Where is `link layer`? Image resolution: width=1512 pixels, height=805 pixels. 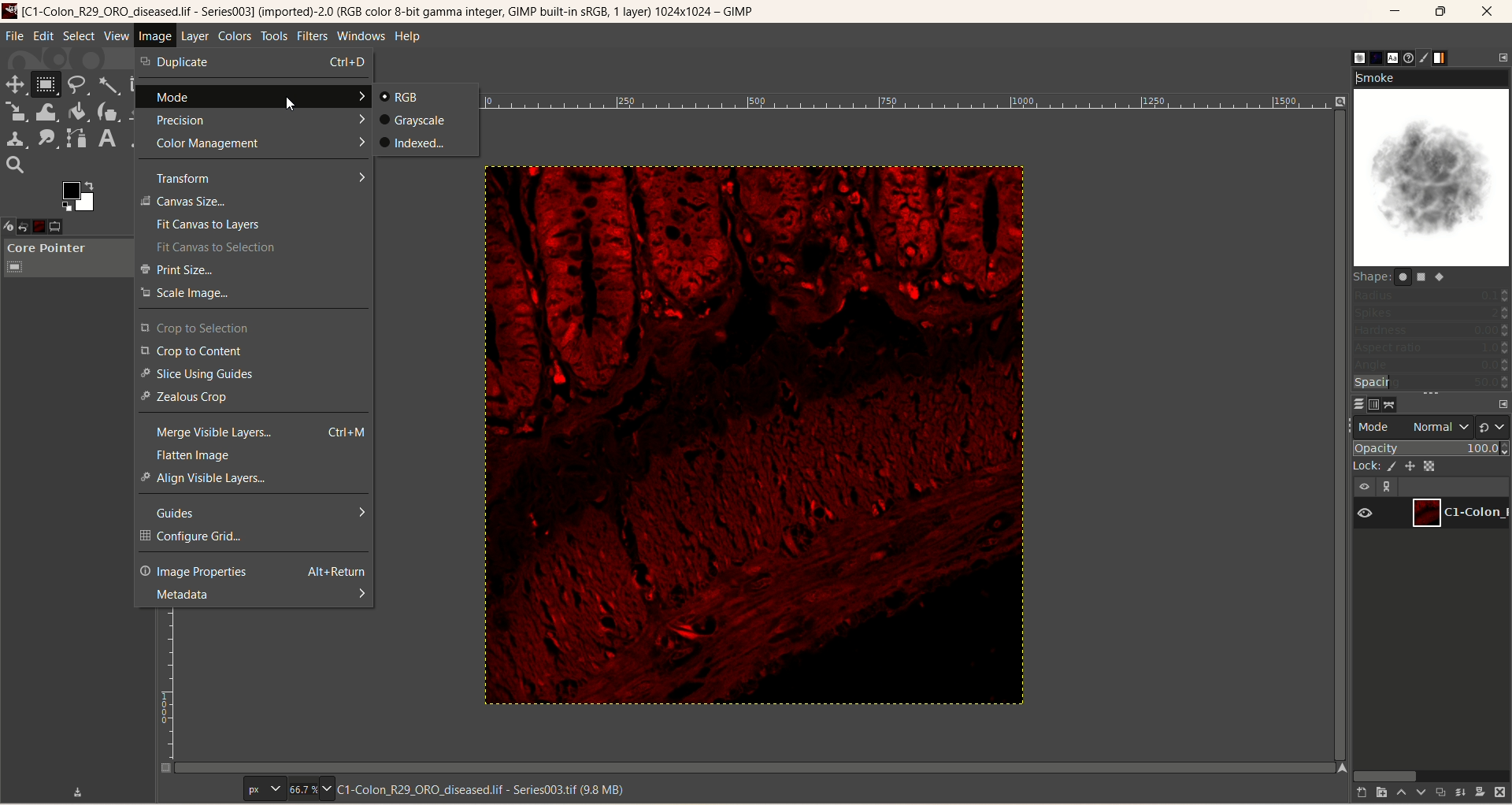 link layer is located at coordinates (1388, 488).